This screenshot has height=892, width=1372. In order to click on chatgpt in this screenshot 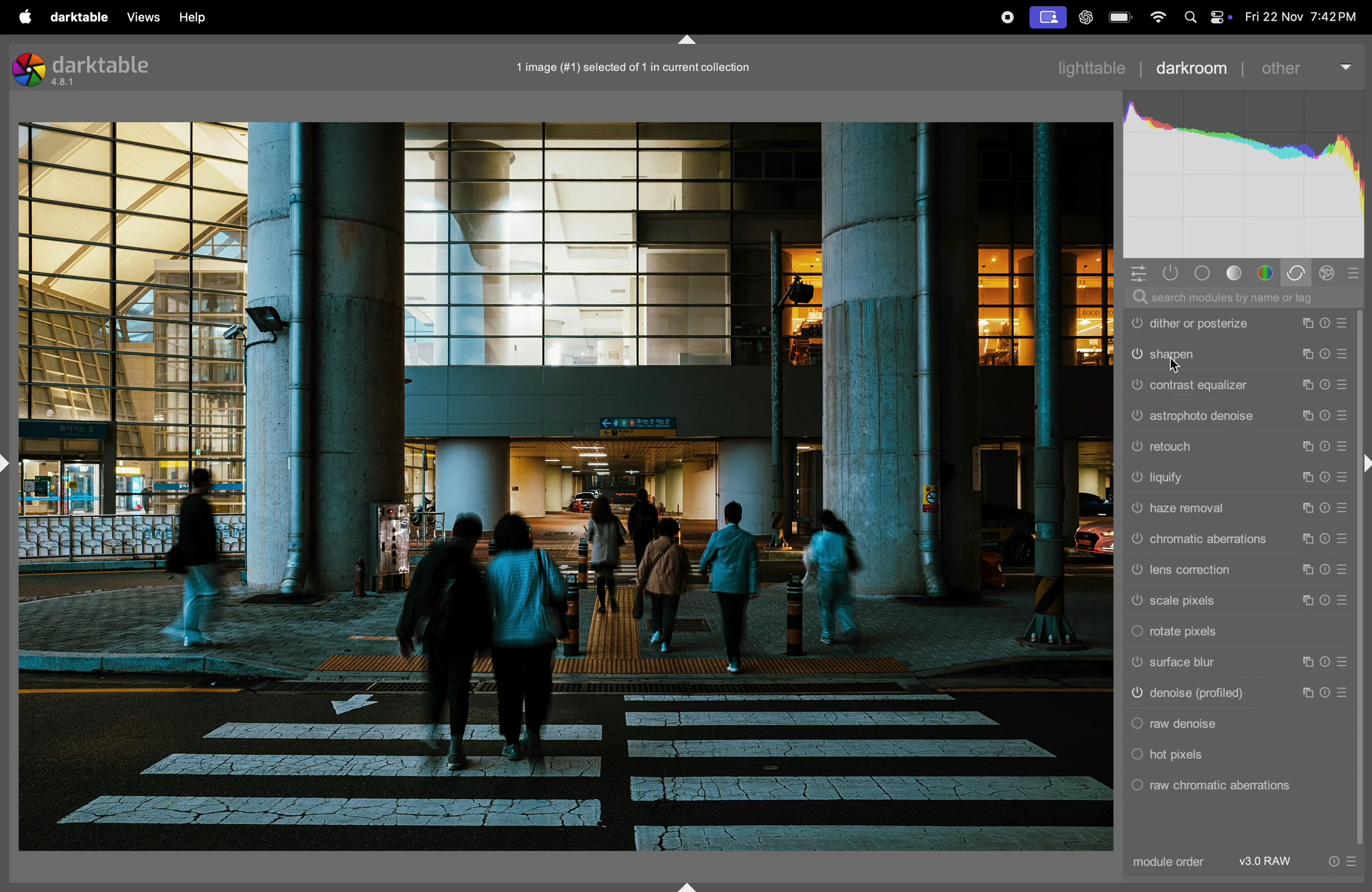, I will do `click(1084, 17)`.